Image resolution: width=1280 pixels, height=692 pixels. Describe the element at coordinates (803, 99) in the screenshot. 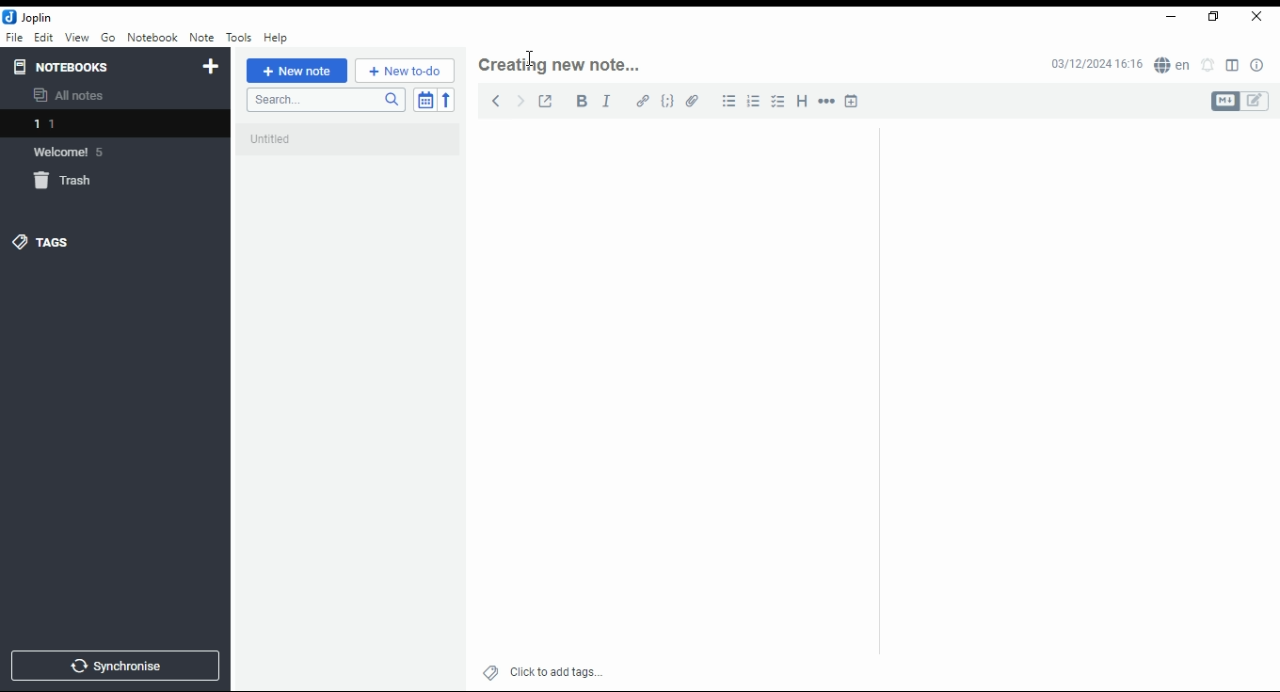

I see `heading` at that location.